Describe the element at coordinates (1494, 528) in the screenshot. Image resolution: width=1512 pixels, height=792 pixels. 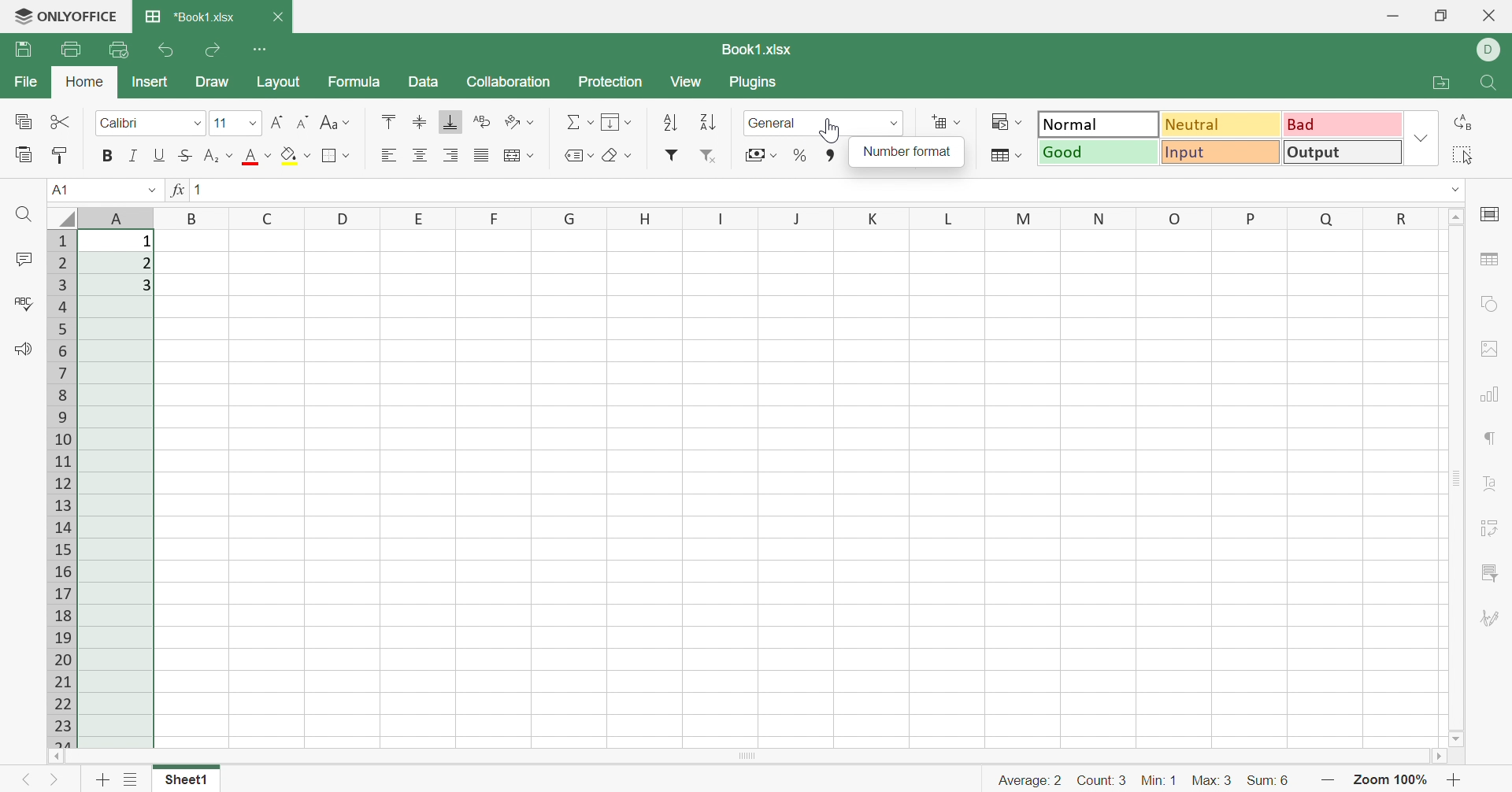
I see `Pivot table settings` at that location.